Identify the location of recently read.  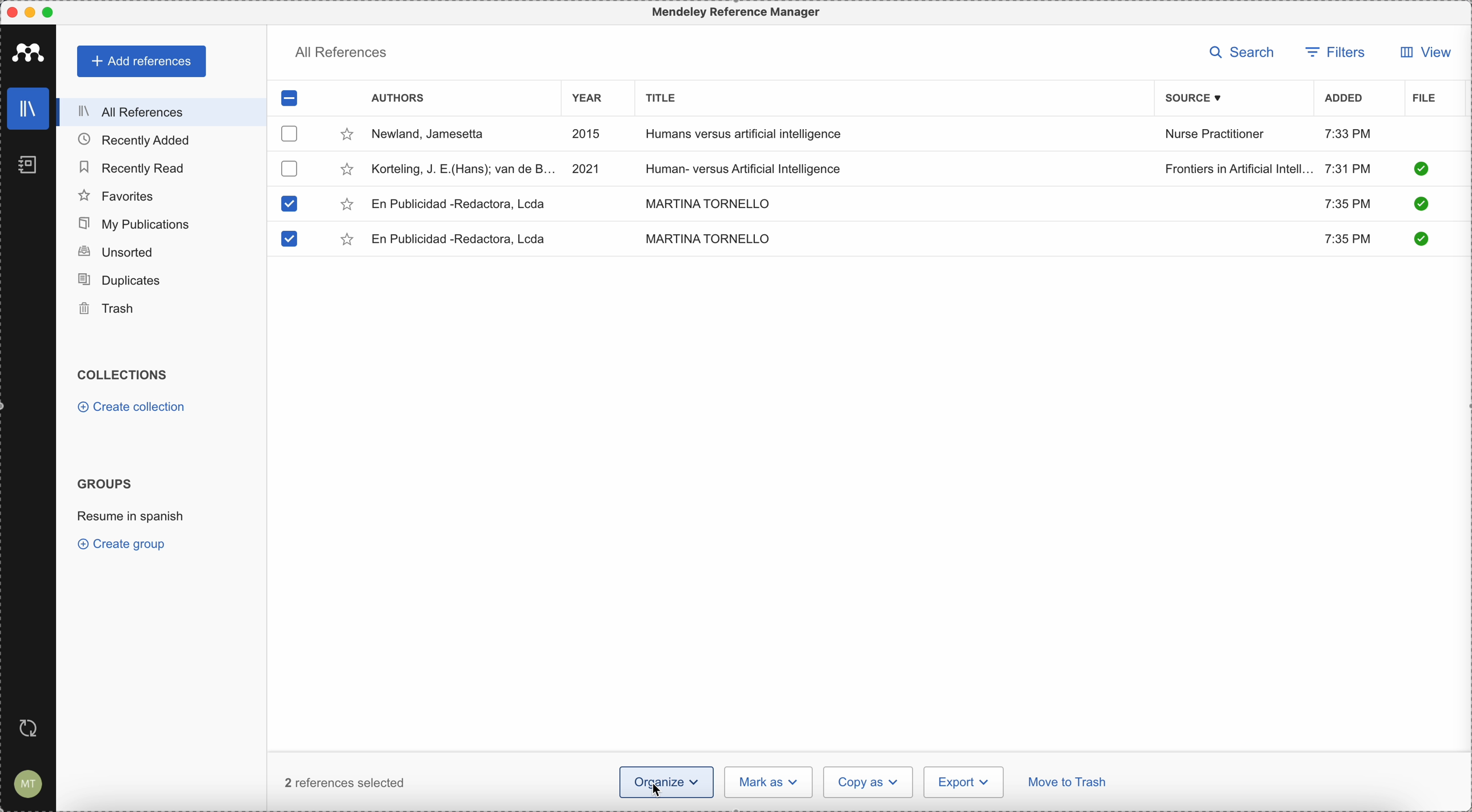
(131, 166).